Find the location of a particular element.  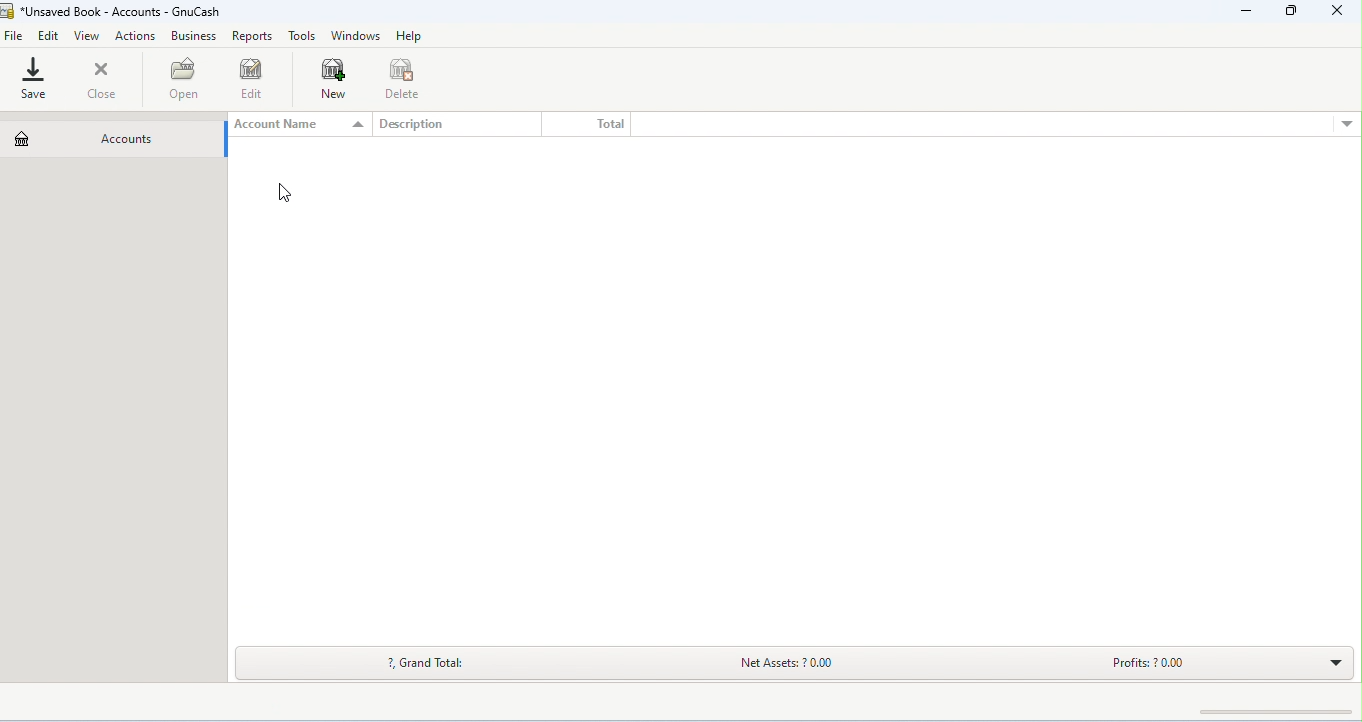

profits is located at coordinates (1176, 667).